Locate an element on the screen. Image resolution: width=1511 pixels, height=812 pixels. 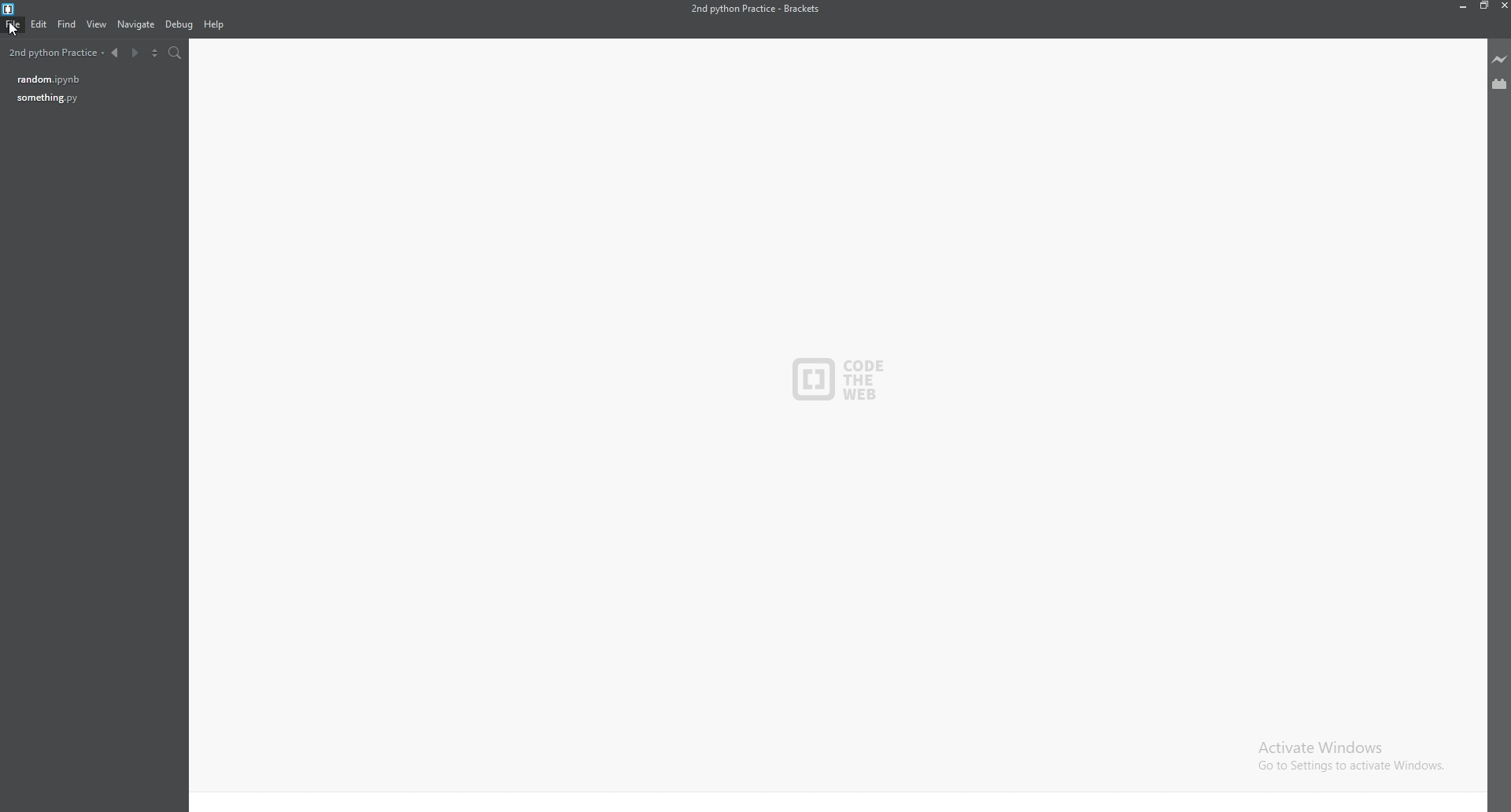
split editor is located at coordinates (157, 52).